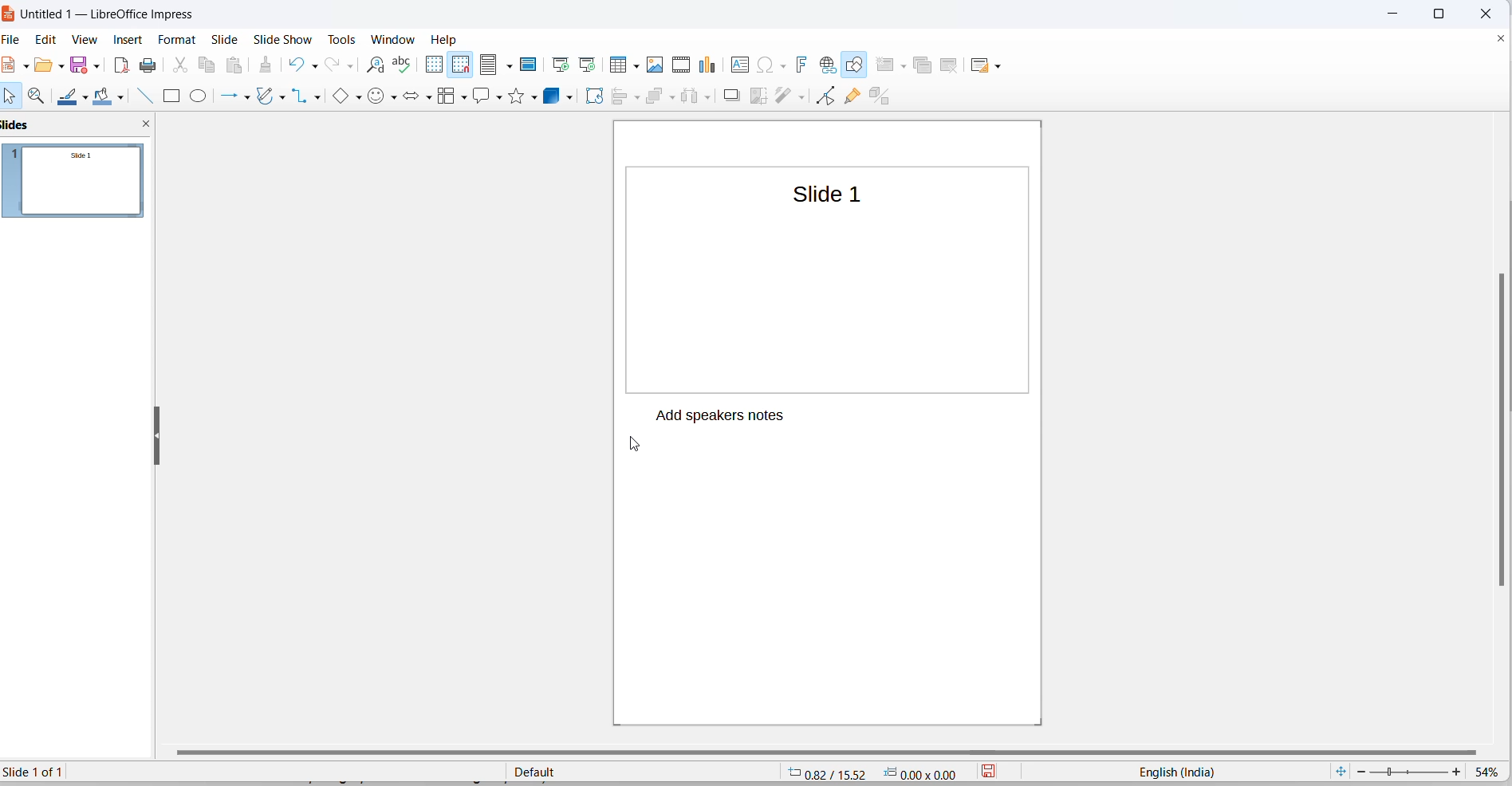 This screenshot has height=786, width=1512. What do you see at coordinates (49, 39) in the screenshot?
I see `edit` at bounding box center [49, 39].